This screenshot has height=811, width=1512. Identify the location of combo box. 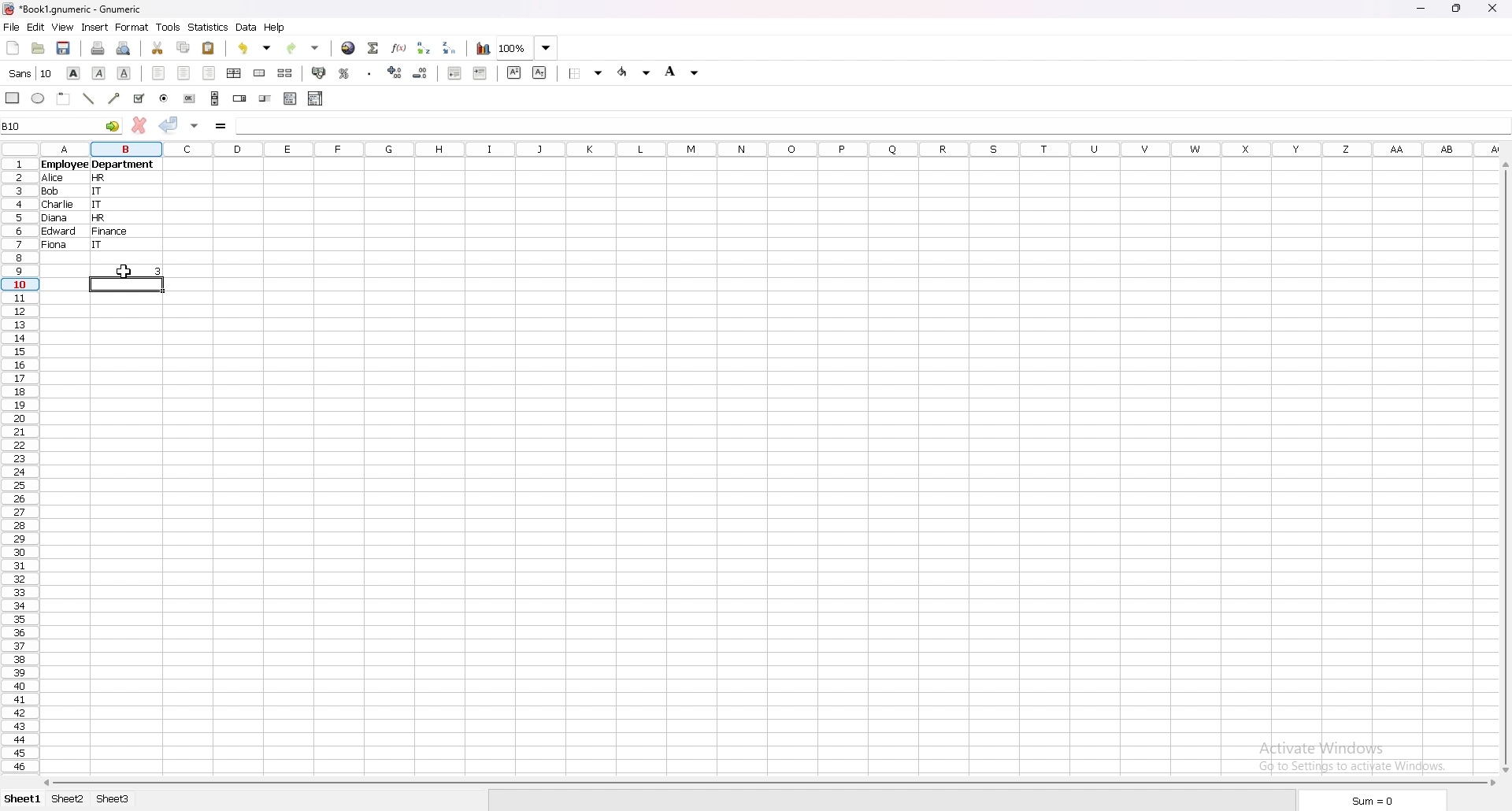
(316, 98).